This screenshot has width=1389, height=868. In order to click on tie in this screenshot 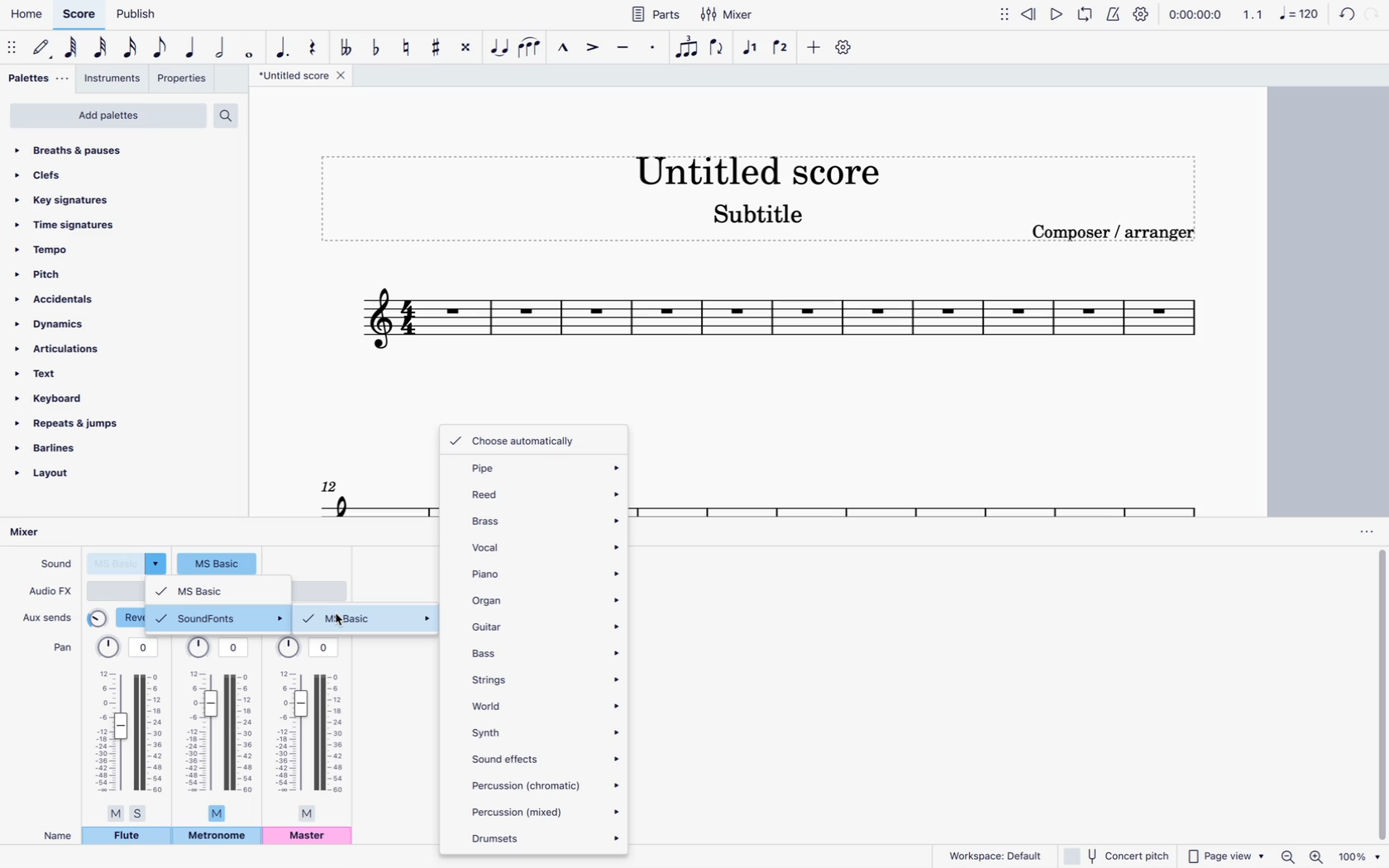, I will do `click(501, 46)`.